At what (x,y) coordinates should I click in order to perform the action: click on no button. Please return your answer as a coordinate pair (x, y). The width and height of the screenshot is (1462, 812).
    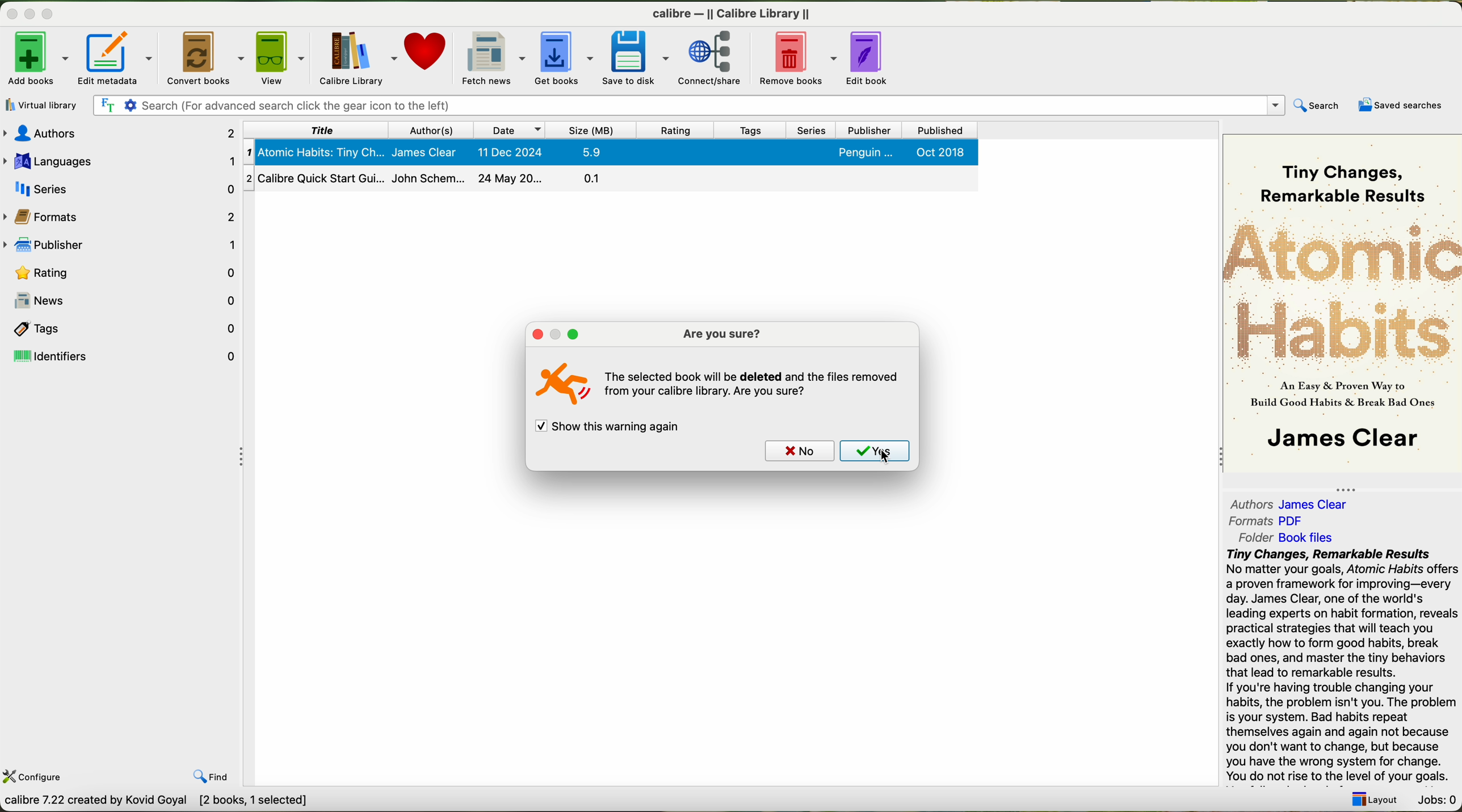
    Looking at the image, I should click on (797, 451).